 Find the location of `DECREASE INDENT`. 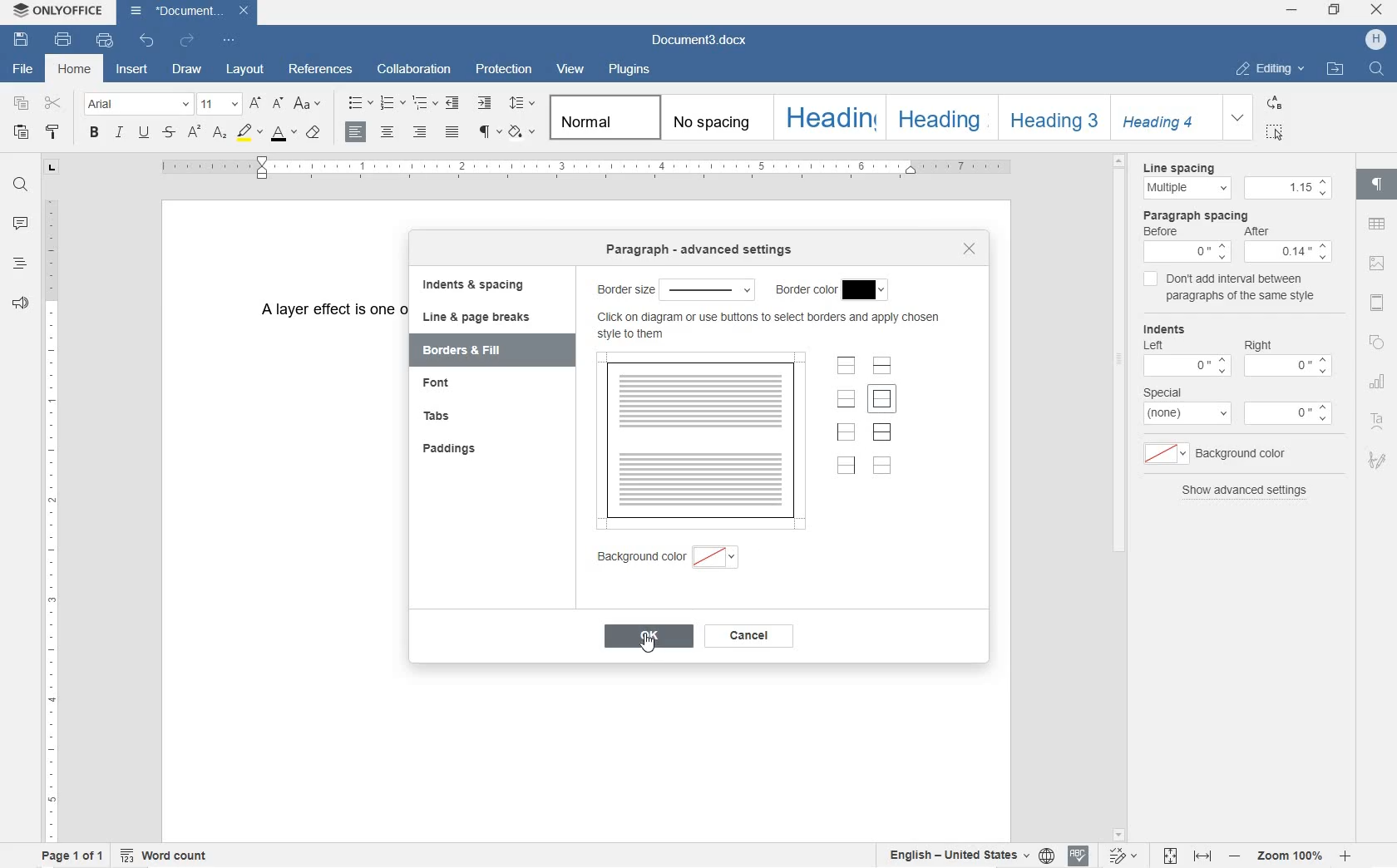

DECREASE INDENT is located at coordinates (454, 103).